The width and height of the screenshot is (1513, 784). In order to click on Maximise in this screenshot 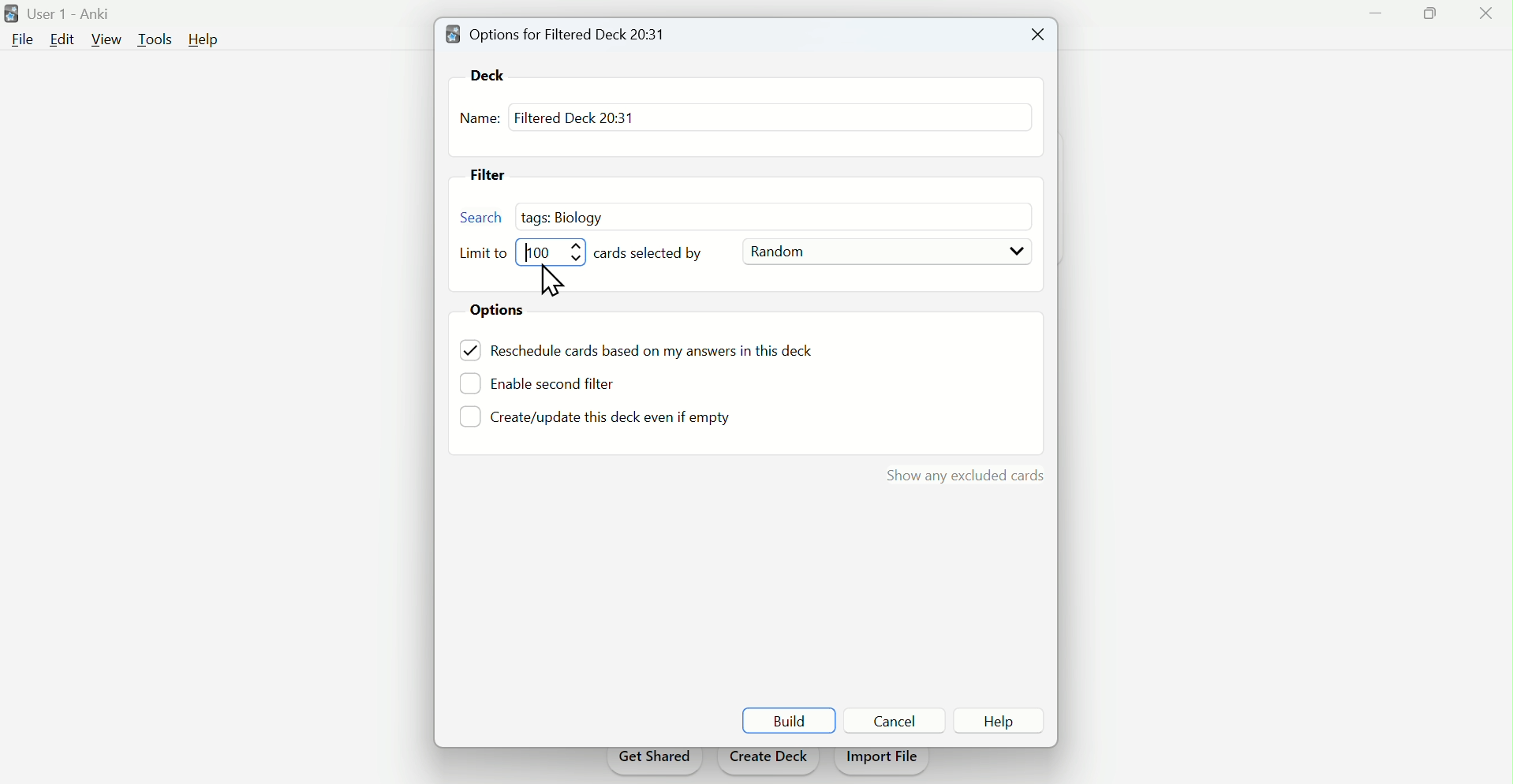, I will do `click(1427, 17)`.